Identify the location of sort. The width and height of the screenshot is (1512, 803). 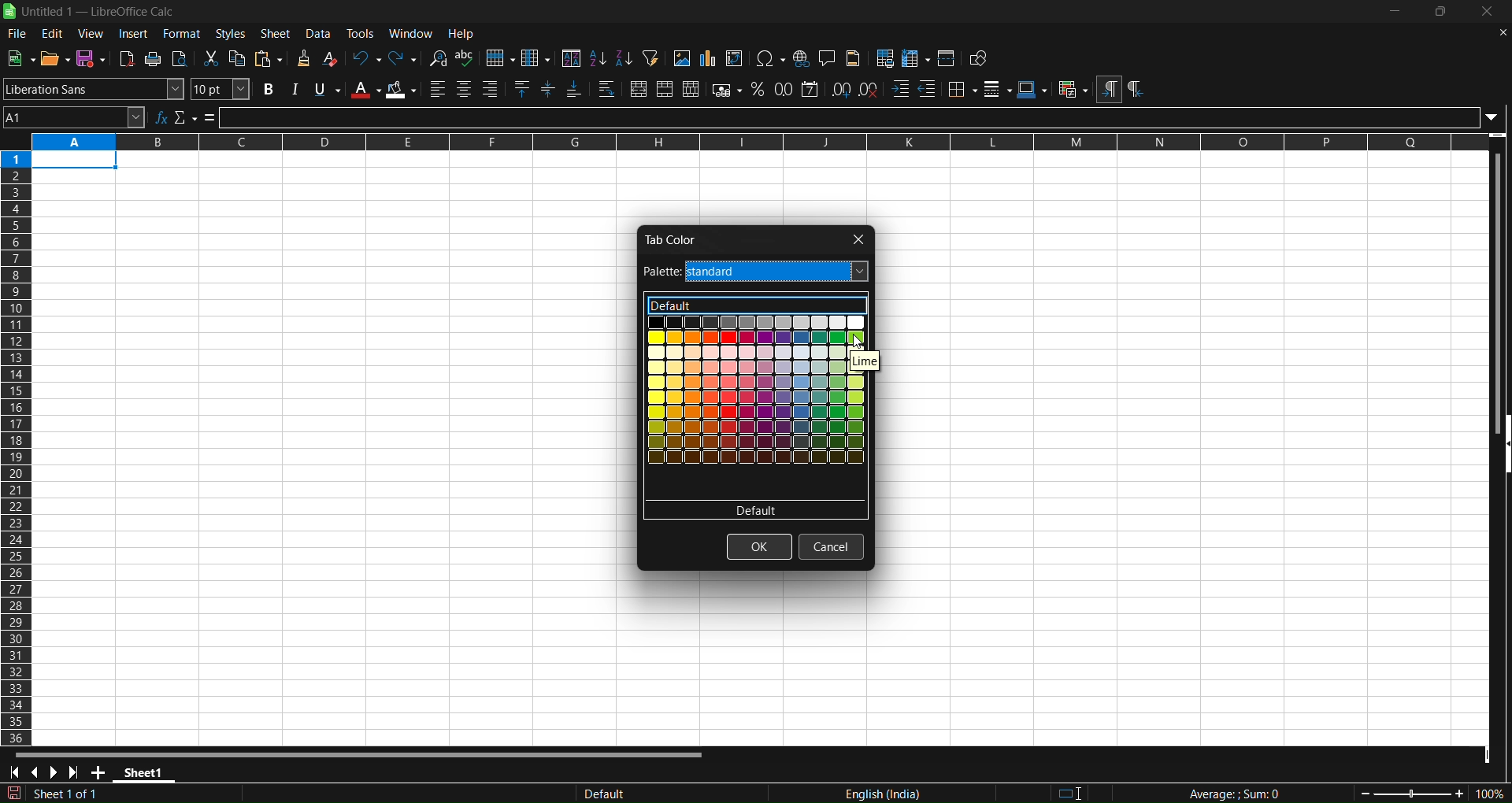
(570, 57).